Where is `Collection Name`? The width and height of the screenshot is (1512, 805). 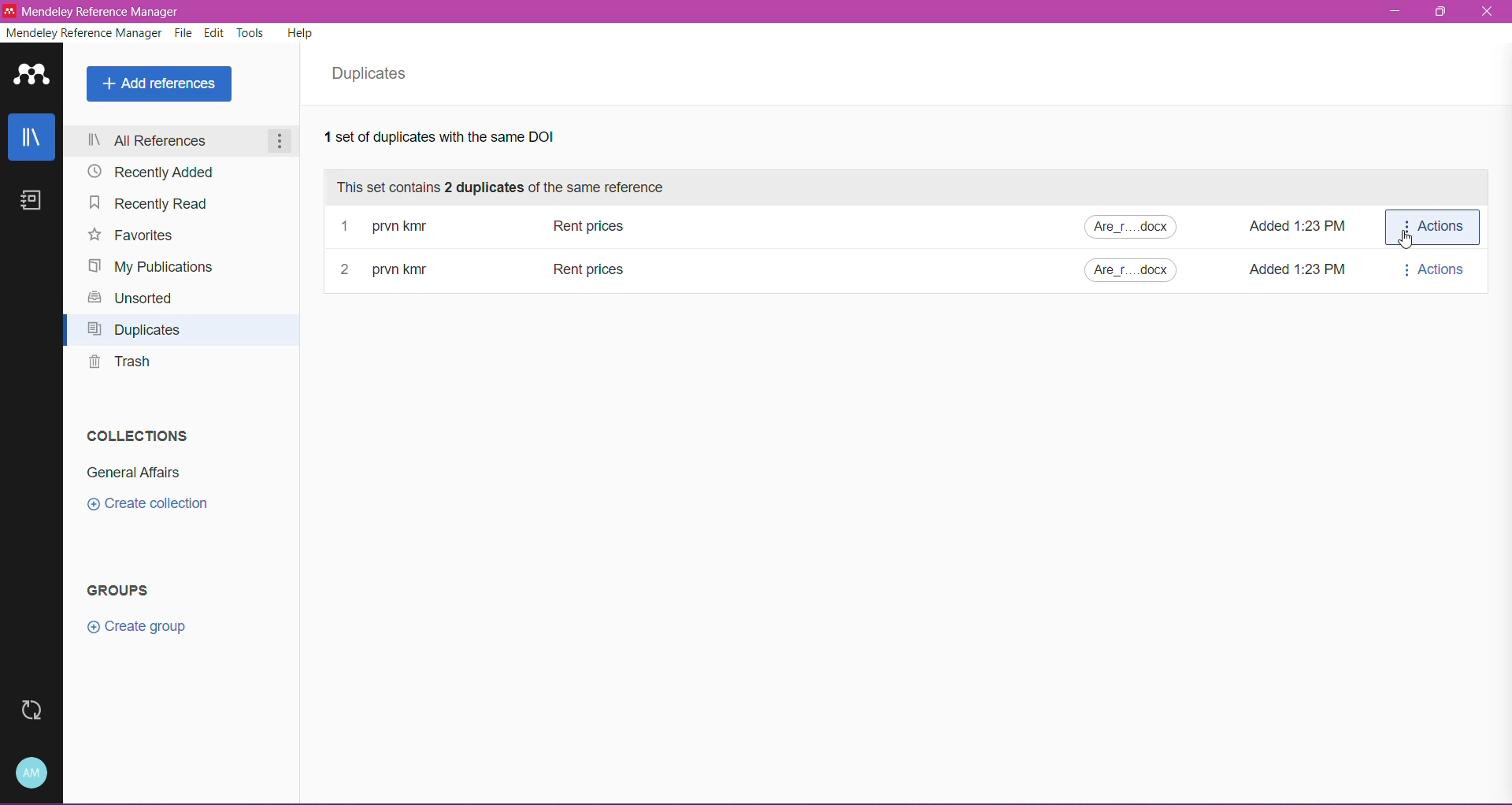
Collection Name is located at coordinates (132, 474).